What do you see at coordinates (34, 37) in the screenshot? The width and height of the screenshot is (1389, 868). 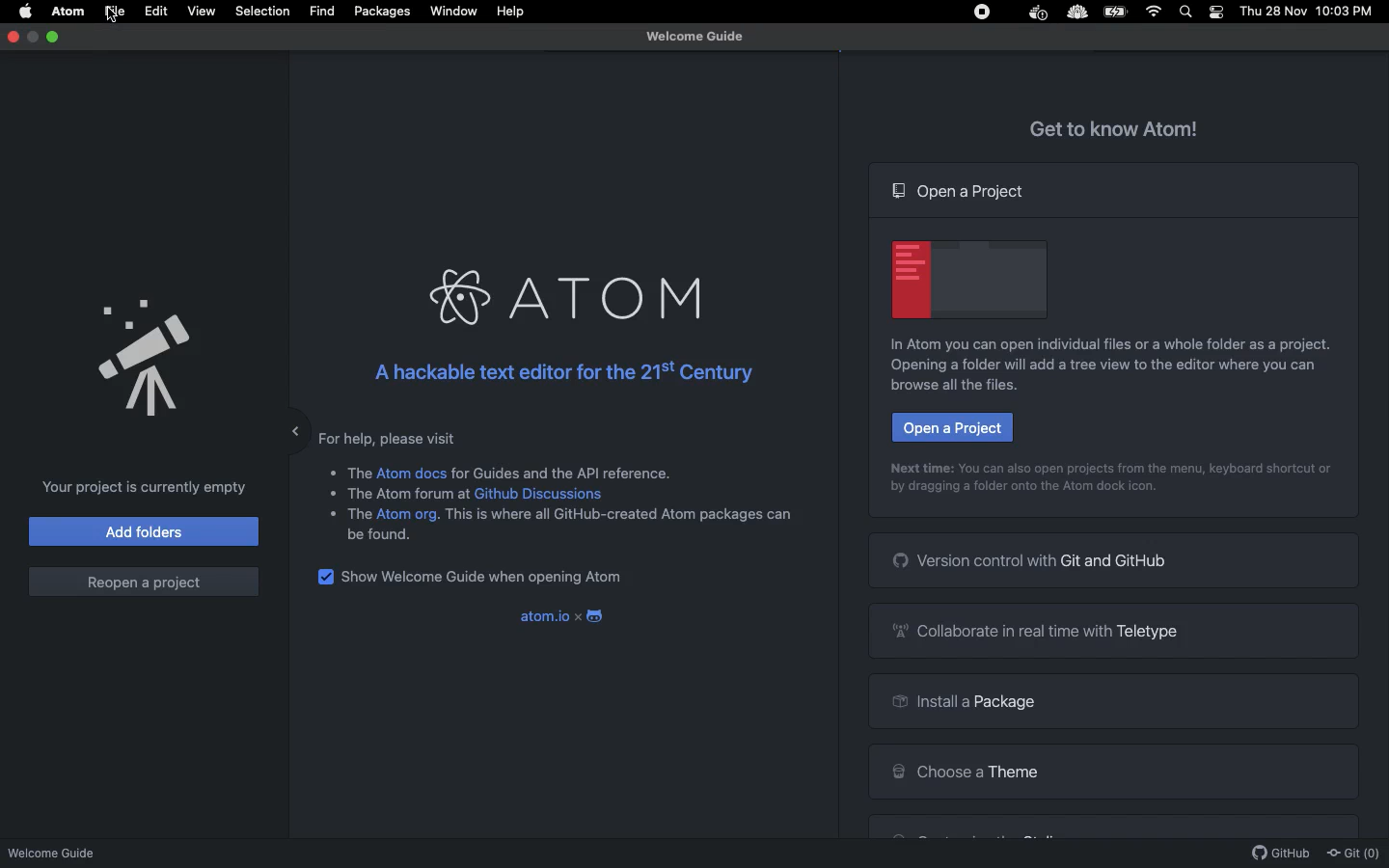 I see `minimize` at bounding box center [34, 37].